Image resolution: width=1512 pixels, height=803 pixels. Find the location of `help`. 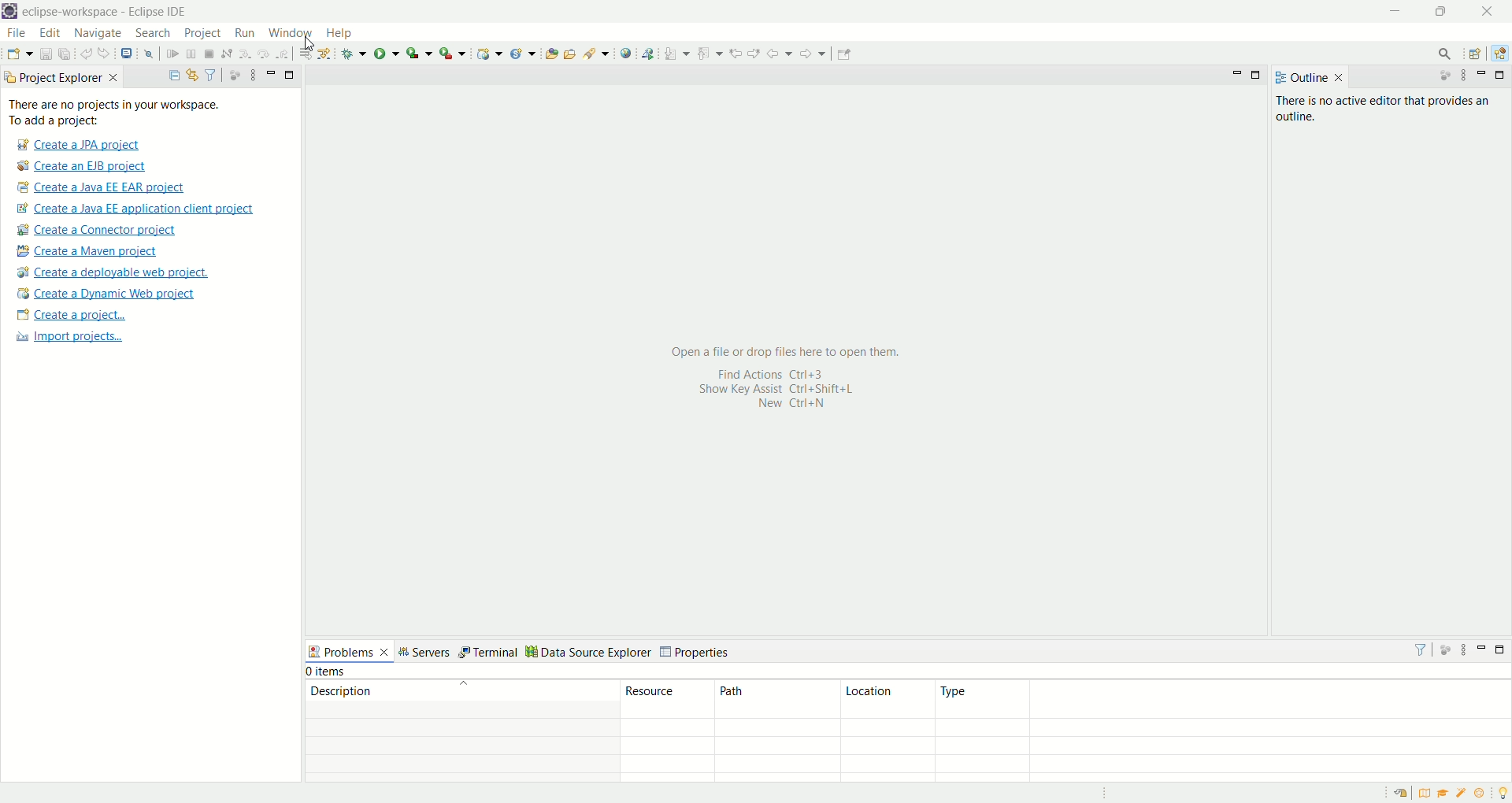

help is located at coordinates (336, 33).